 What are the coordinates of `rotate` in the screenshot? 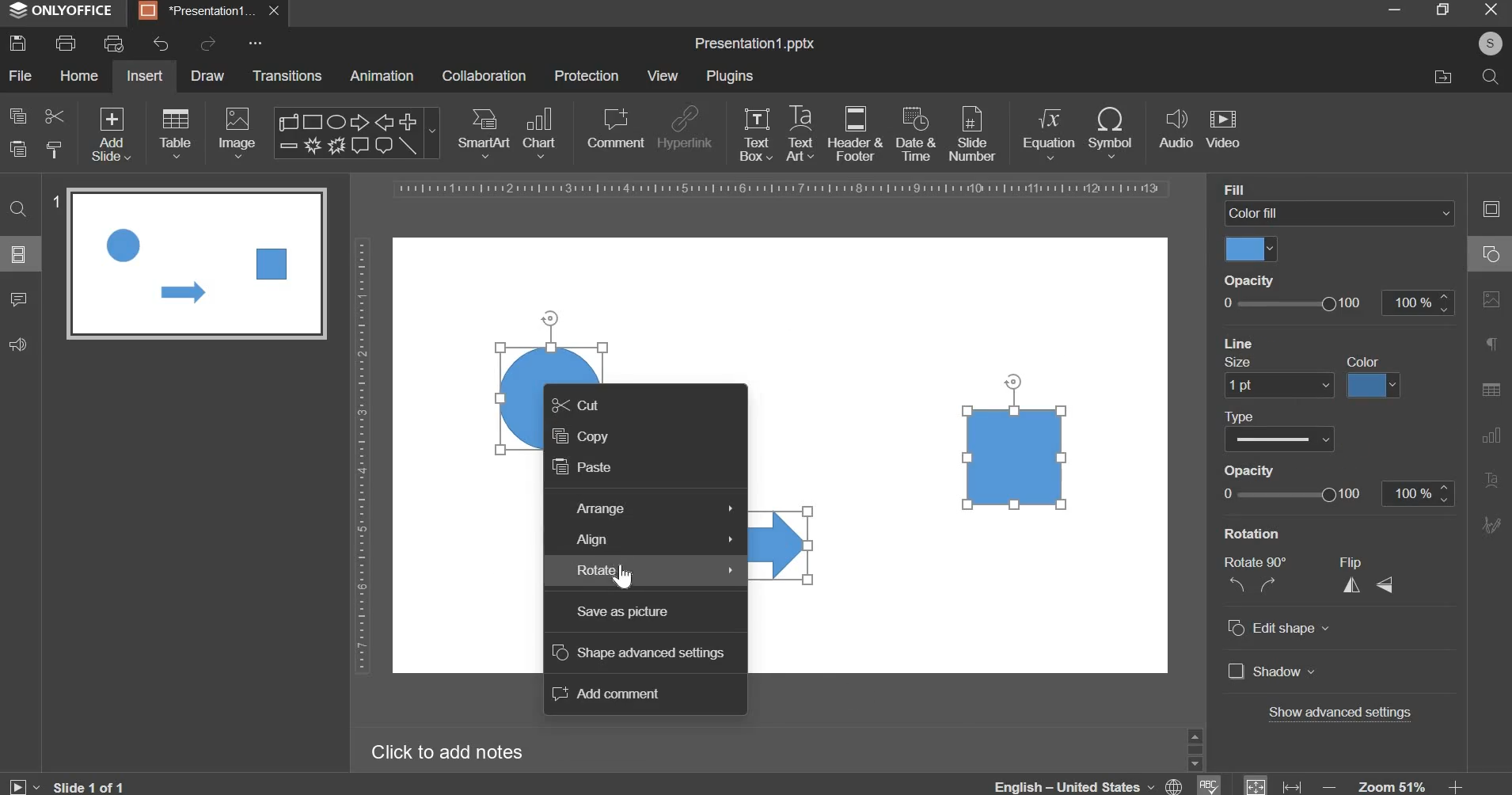 It's located at (1012, 379).